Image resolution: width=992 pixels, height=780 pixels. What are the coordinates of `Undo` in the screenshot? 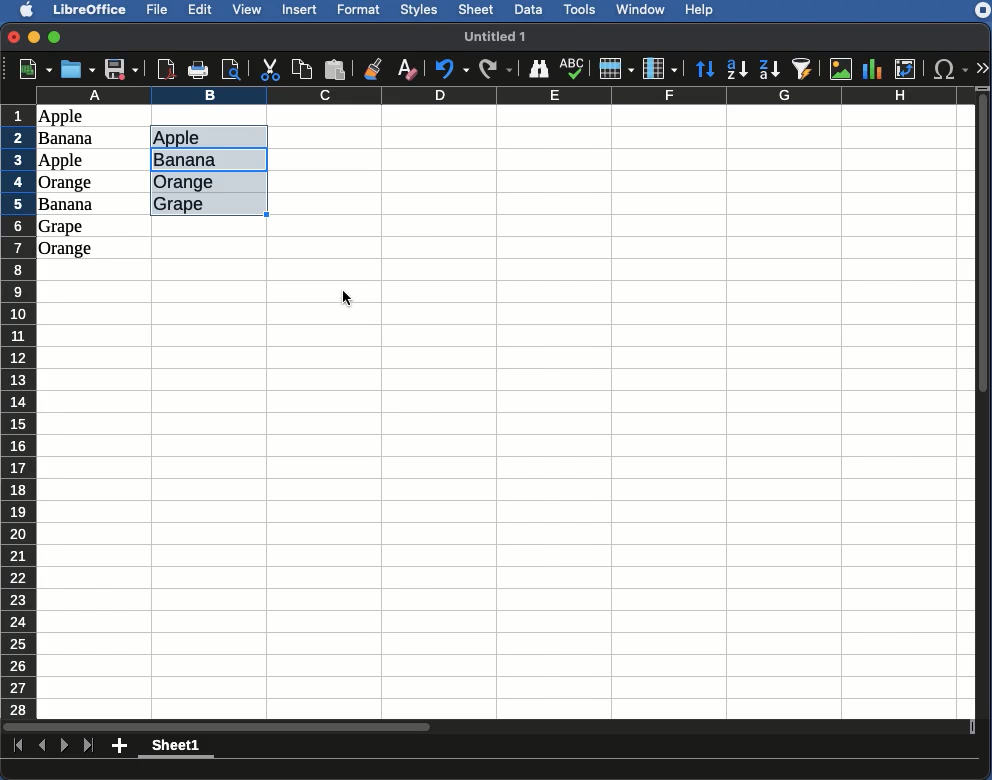 It's located at (451, 69).